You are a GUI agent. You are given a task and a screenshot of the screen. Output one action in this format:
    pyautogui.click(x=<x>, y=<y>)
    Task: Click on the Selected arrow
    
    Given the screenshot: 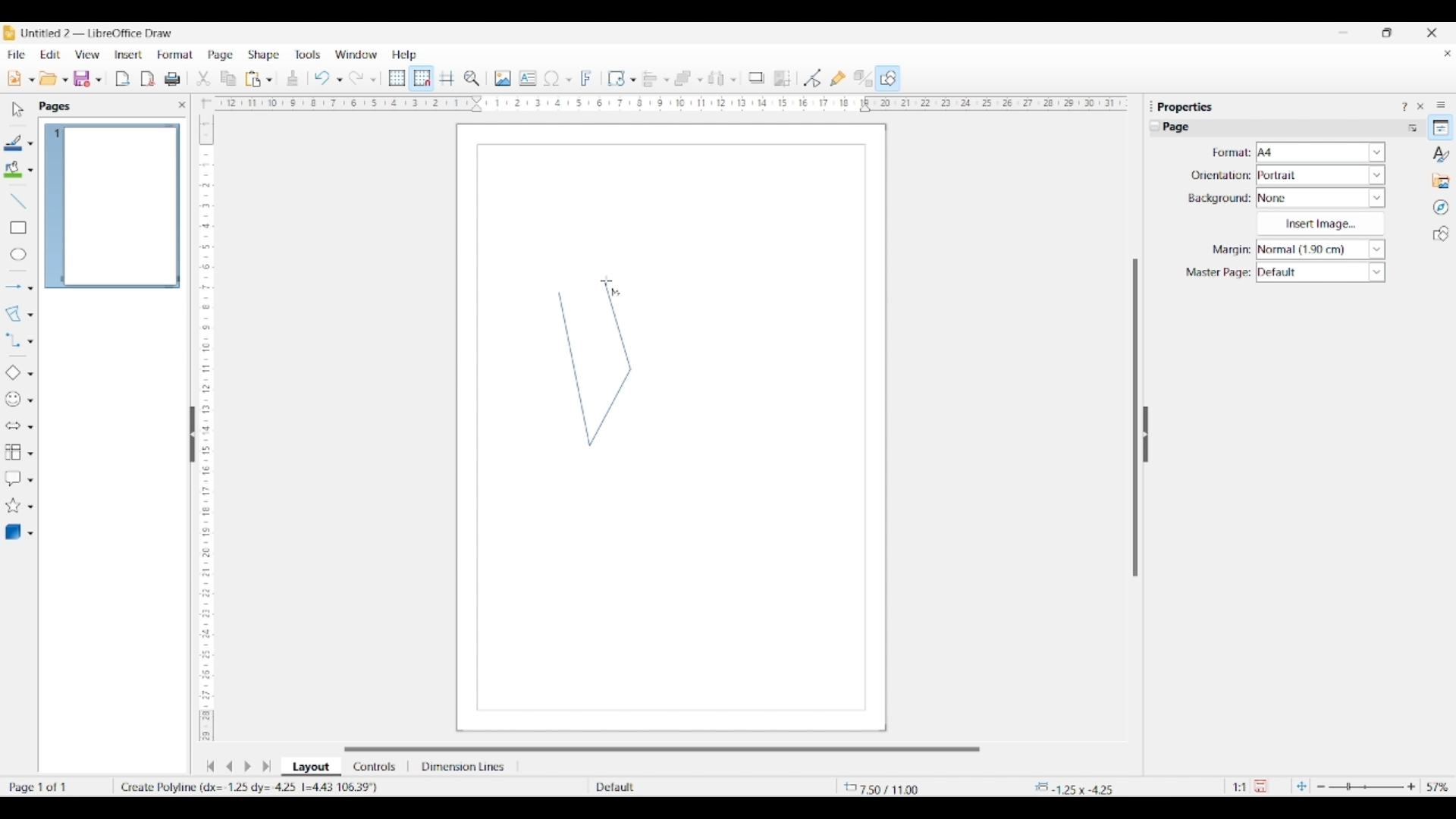 What is the action you would take?
    pyautogui.click(x=14, y=287)
    